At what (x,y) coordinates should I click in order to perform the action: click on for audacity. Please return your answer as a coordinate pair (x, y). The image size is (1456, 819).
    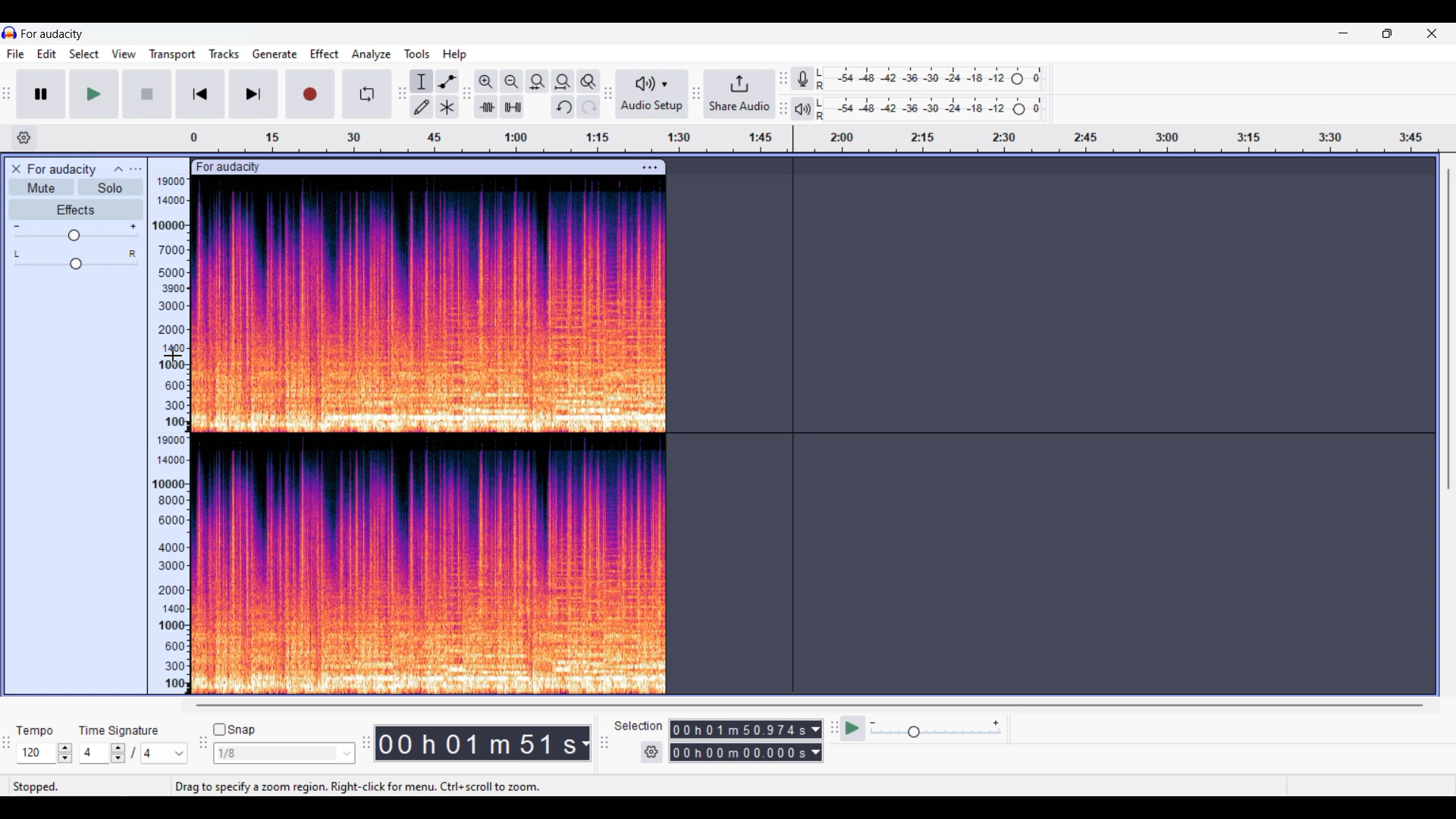
    Looking at the image, I should click on (233, 165).